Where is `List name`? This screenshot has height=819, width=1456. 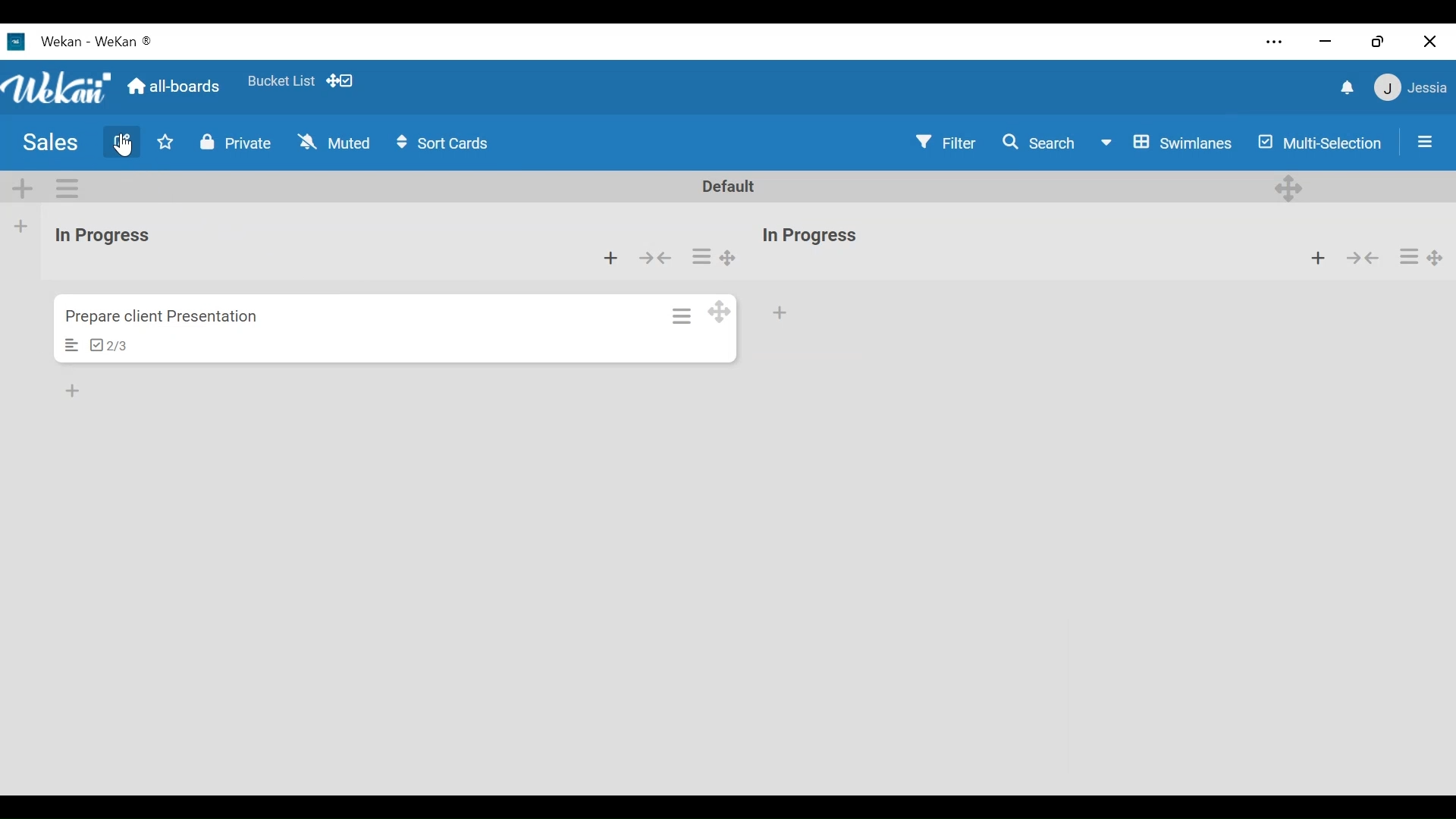
List name is located at coordinates (808, 237).